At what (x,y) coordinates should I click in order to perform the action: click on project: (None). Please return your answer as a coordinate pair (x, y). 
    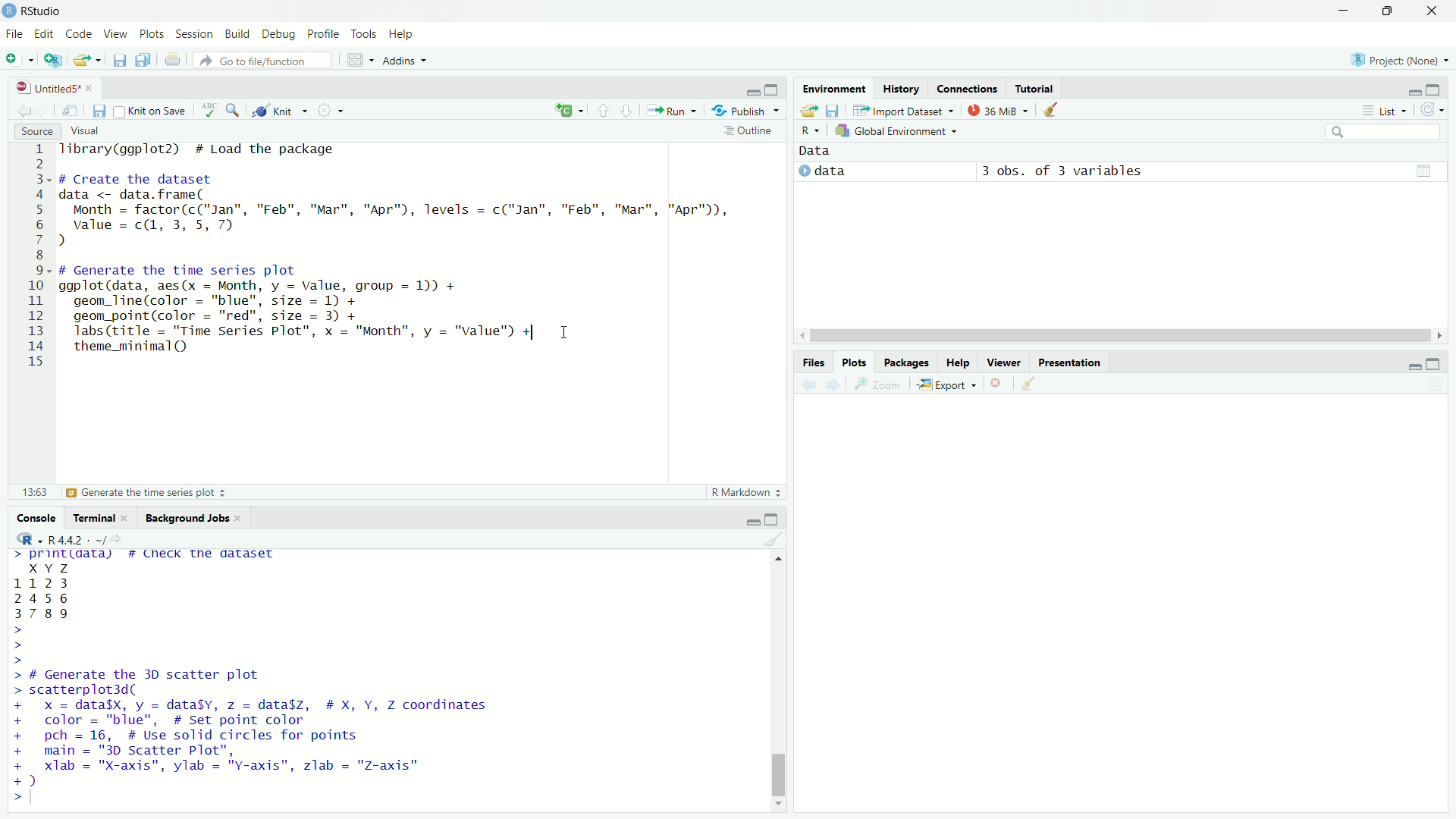
    Looking at the image, I should click on (1398, 57).